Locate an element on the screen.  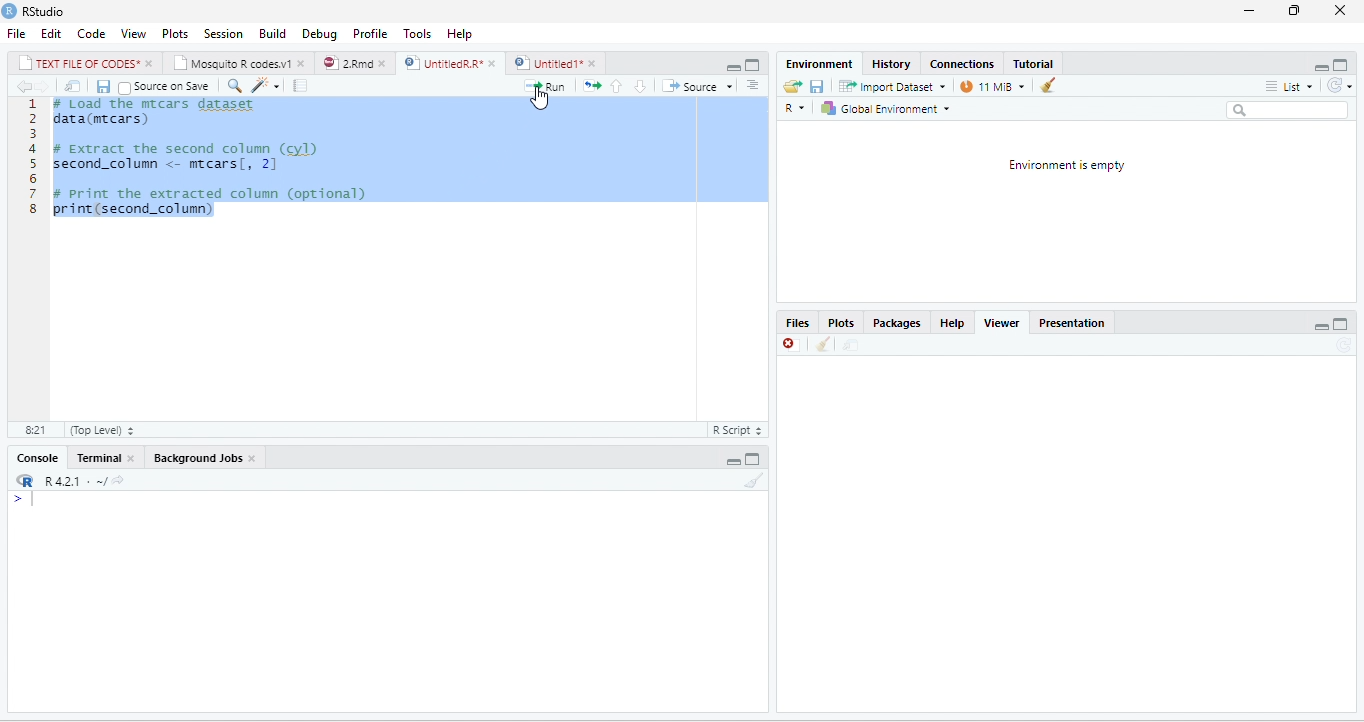
close is located at coordinates (384, 62).